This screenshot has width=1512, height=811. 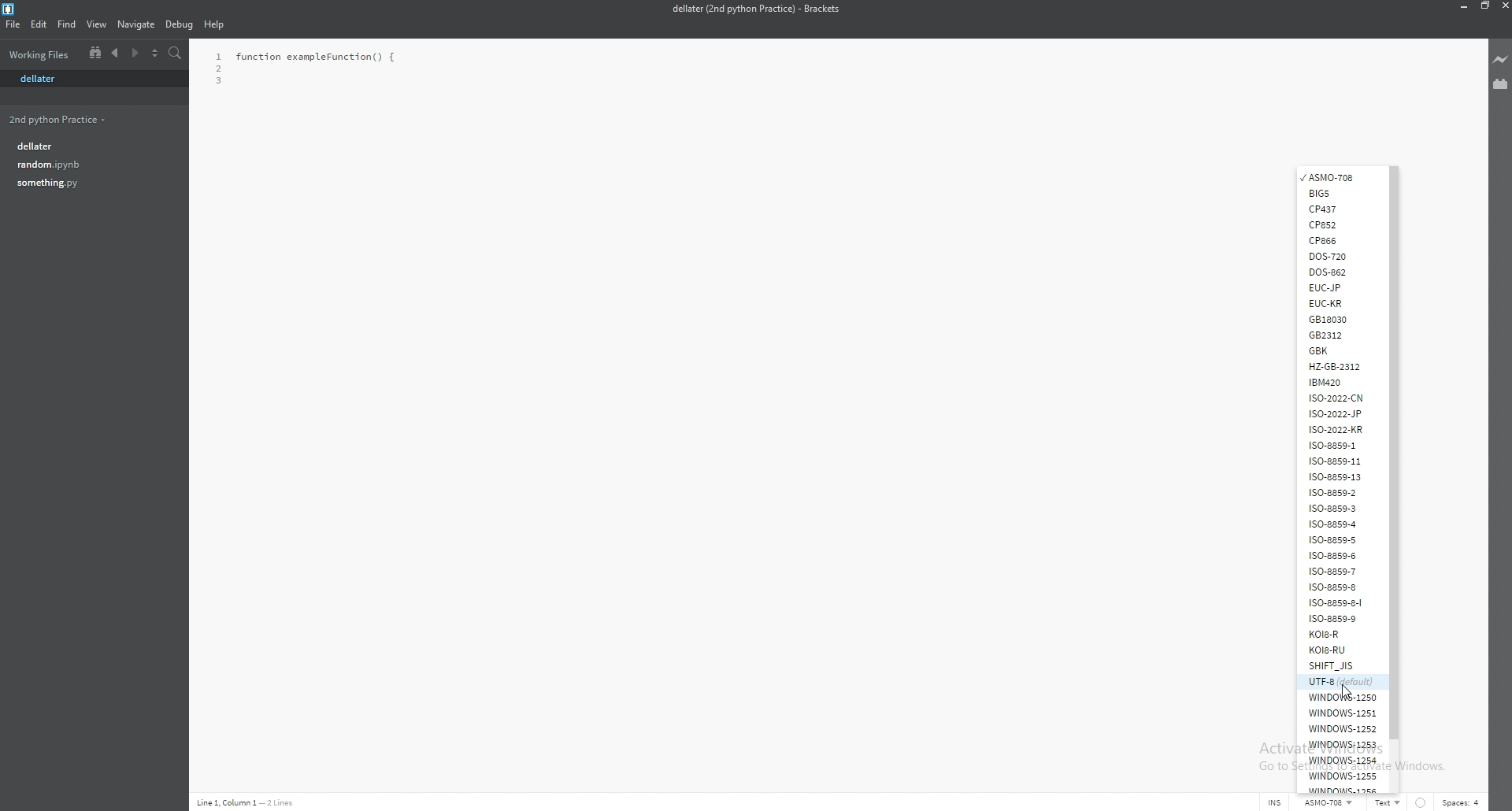 What do you see at coordinates (1342, 555) in the screenshot?
I see `iso-8859-6` at bounding box center [1342, 555].